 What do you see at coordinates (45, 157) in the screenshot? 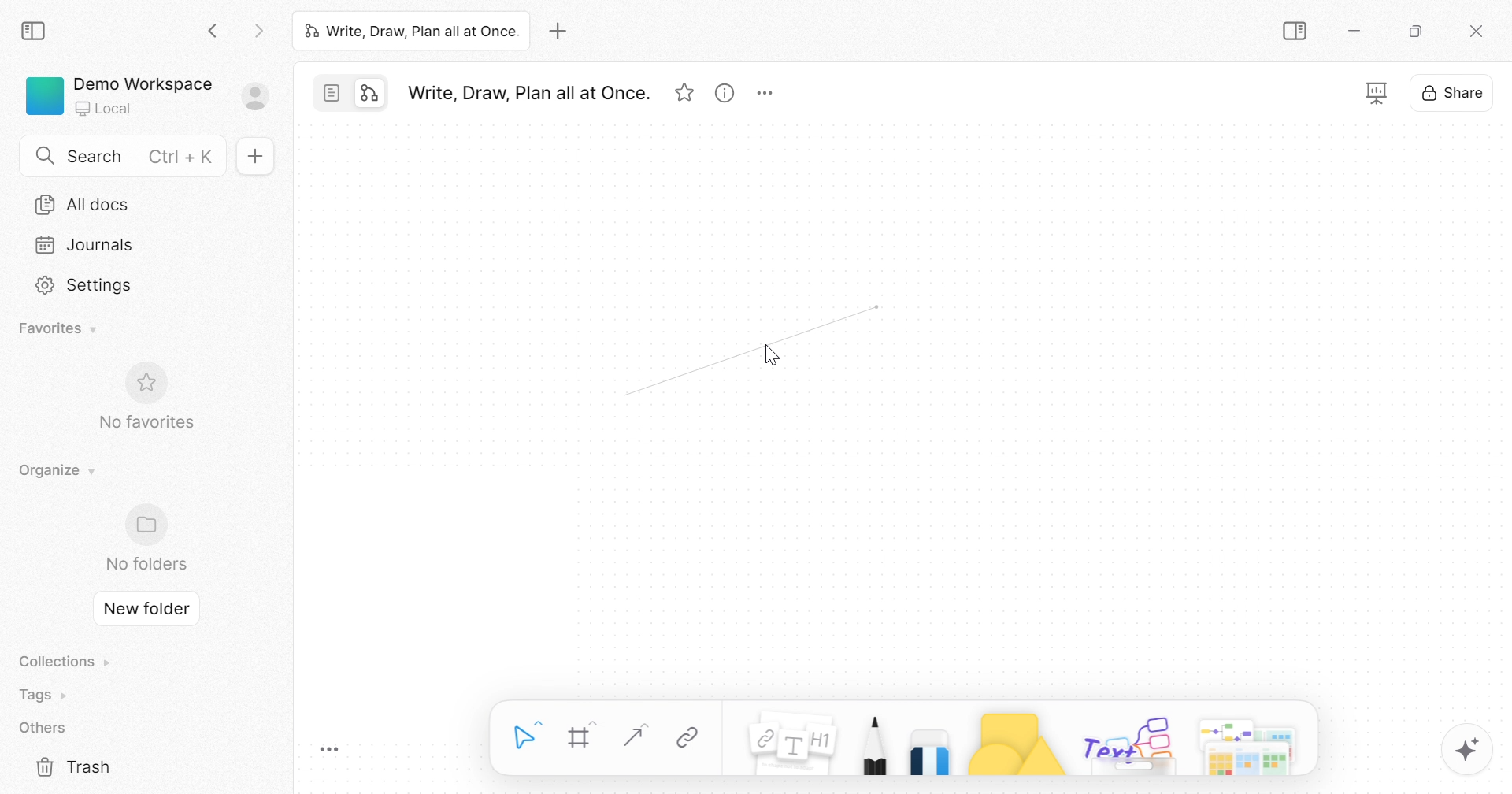
I see `Search icon` at bounding box center [45, 157].